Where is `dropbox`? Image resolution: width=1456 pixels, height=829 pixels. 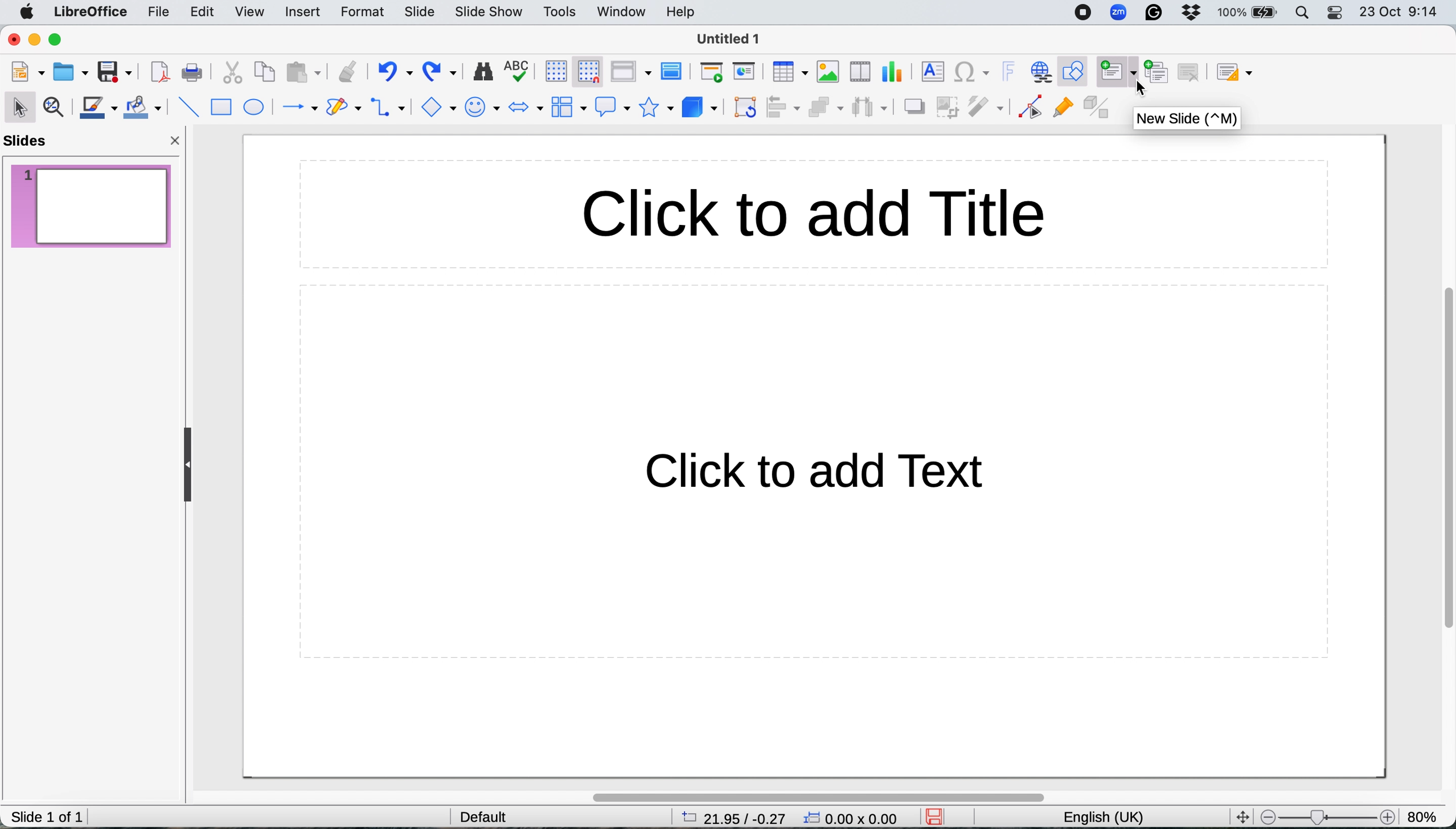
dropbox is located at coordinates (1196, 13).